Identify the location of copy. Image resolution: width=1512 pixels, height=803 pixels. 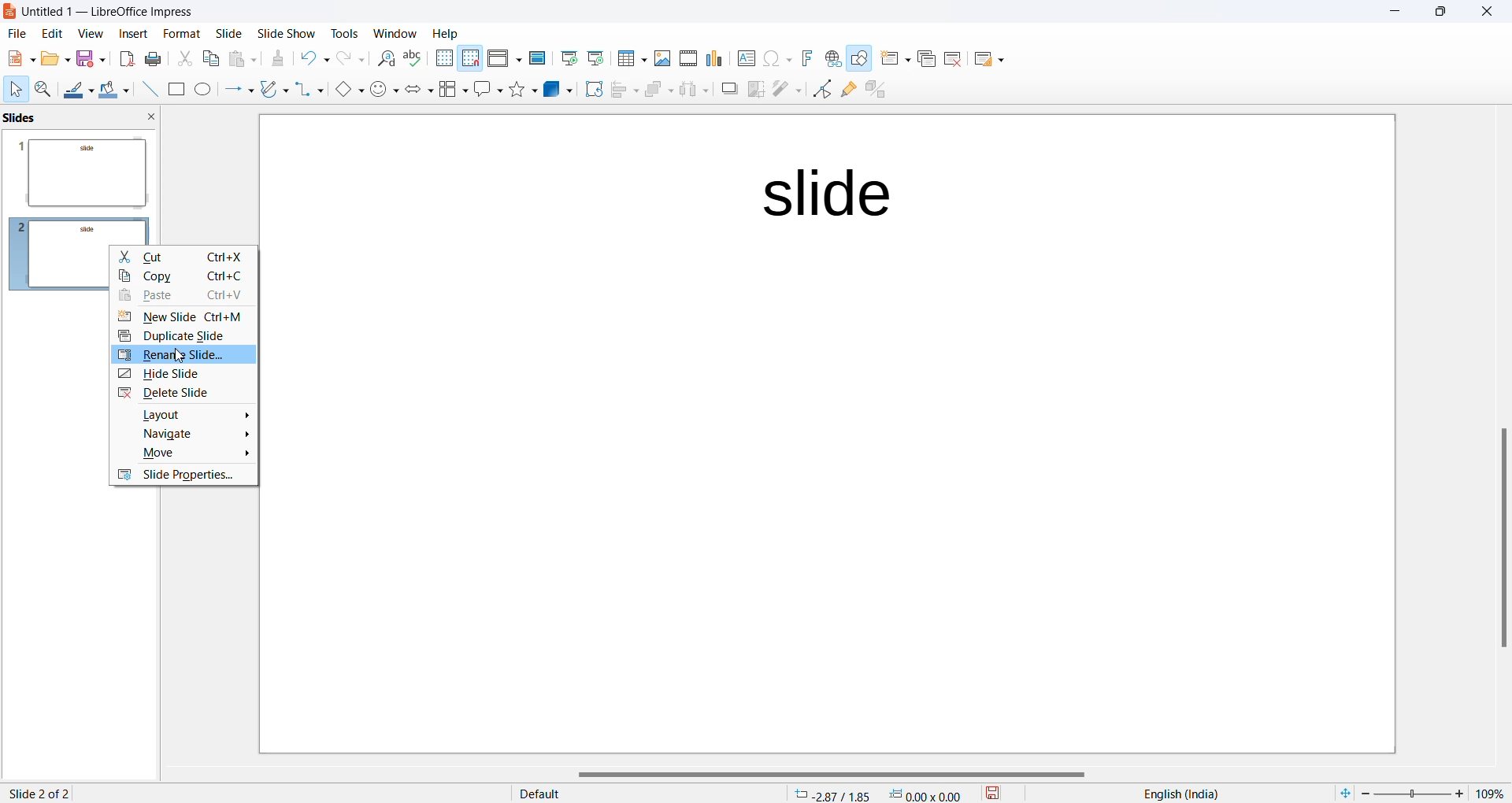
(185, 279).